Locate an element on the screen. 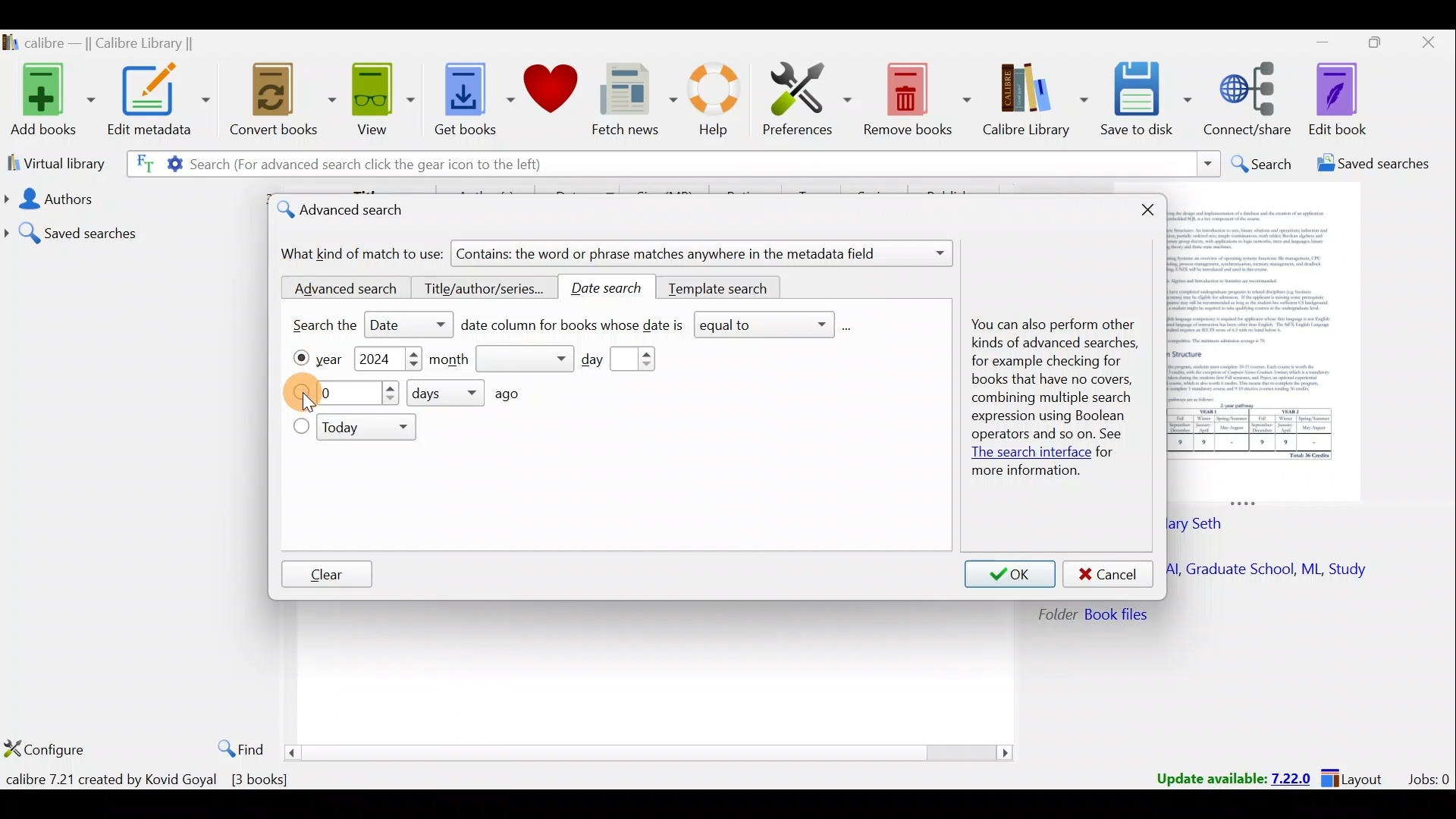 This screenshot has height=819, width=1456. What day? is located at coordinates (360, 394).